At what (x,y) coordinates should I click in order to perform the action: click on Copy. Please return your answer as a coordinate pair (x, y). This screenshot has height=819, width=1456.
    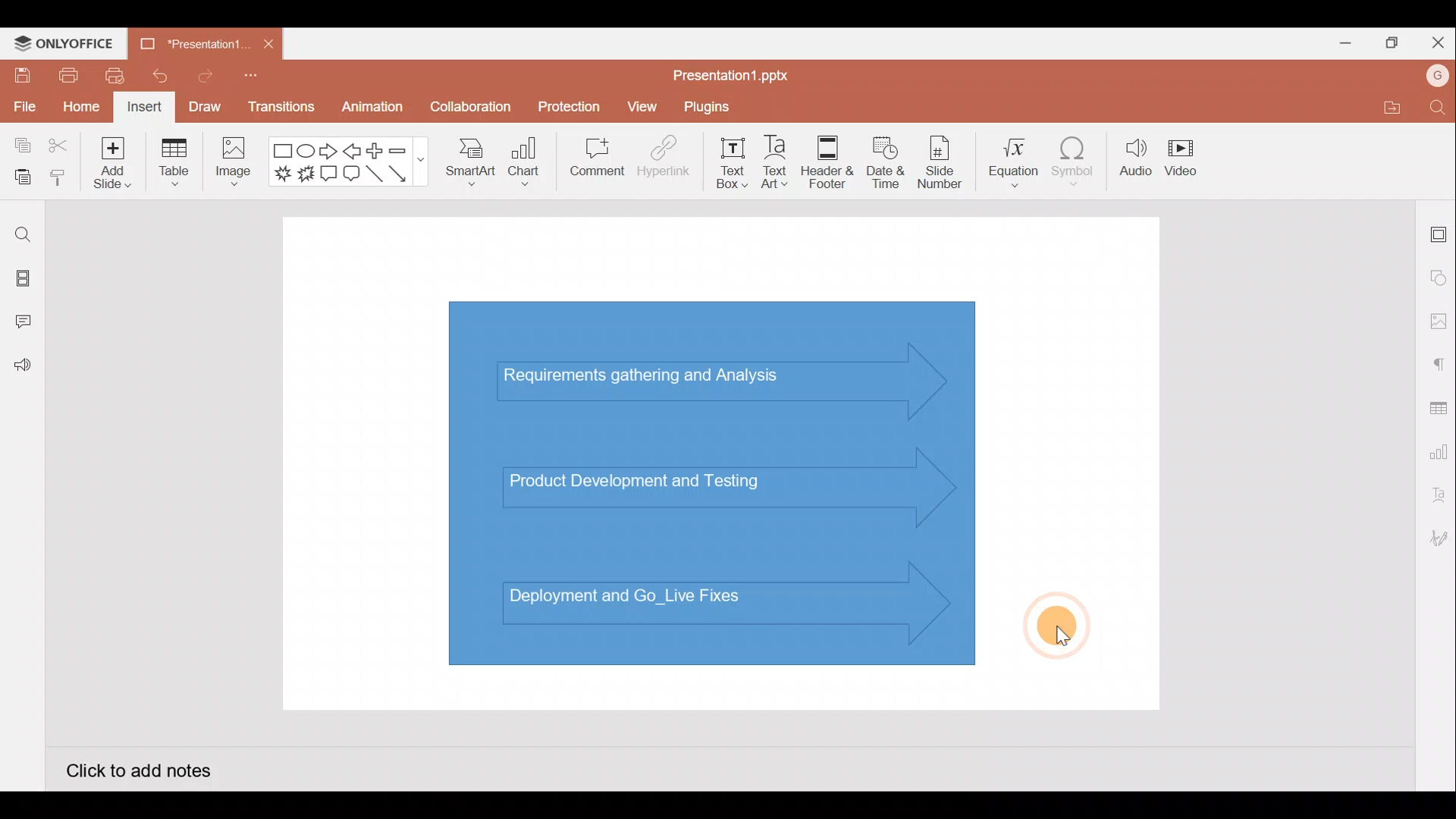
    Looking at the image, I should click on (20, 146).